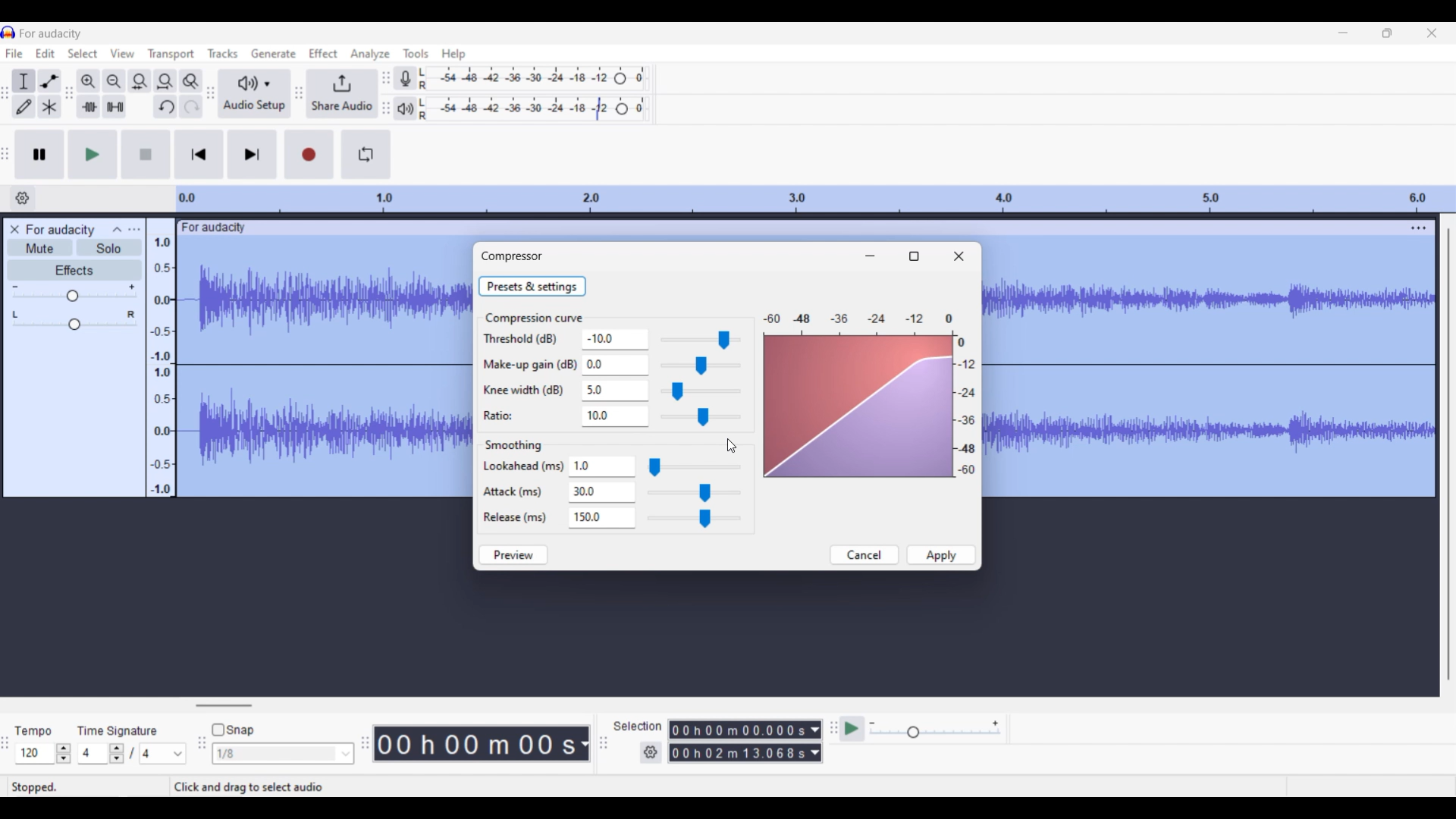 This screenshot has height=819, width=1456. Describe the element at coordinates (959, 256) in the screenshot. I see `Close` at that location.